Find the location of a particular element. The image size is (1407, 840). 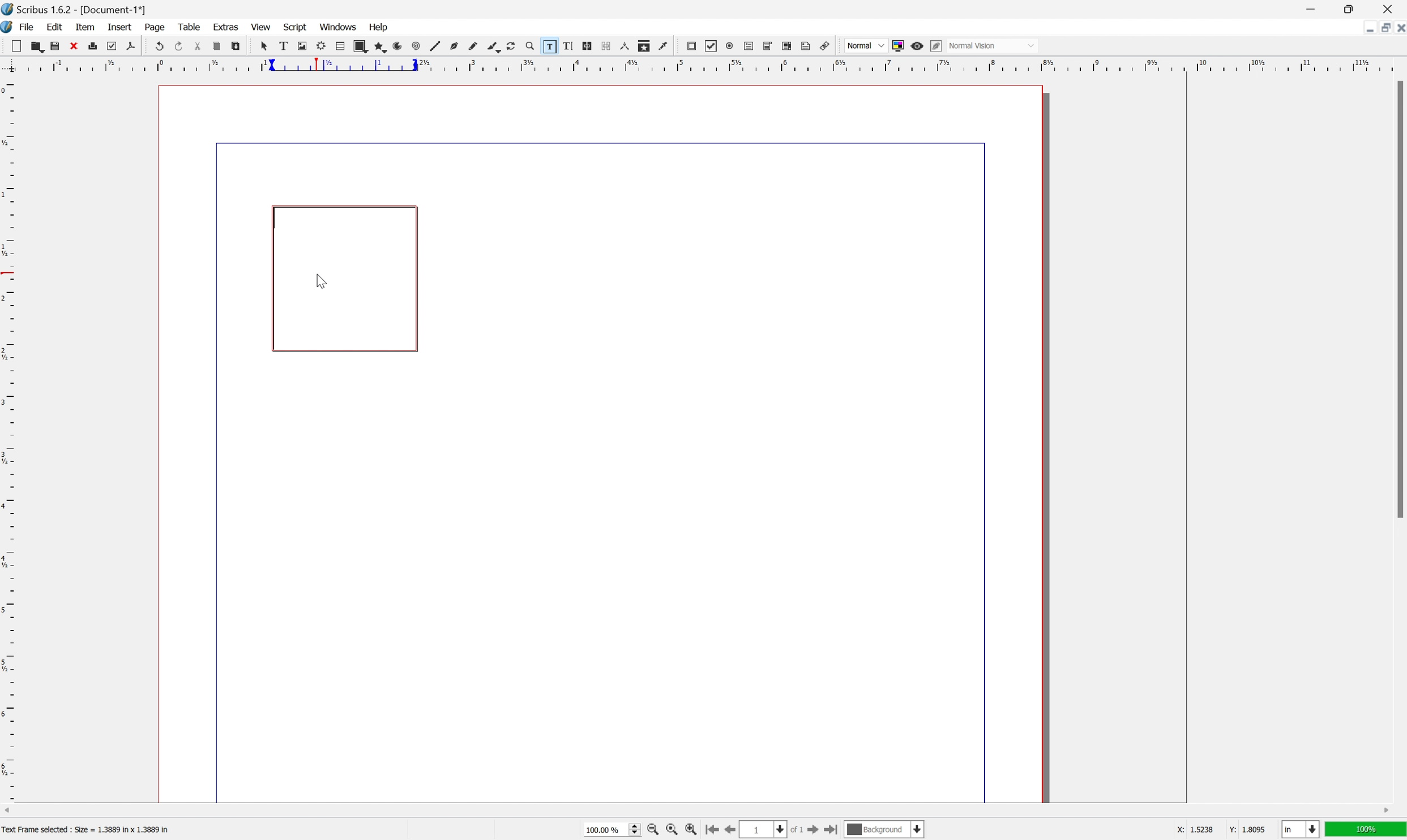

100% is located at coordinates (1367, 832).